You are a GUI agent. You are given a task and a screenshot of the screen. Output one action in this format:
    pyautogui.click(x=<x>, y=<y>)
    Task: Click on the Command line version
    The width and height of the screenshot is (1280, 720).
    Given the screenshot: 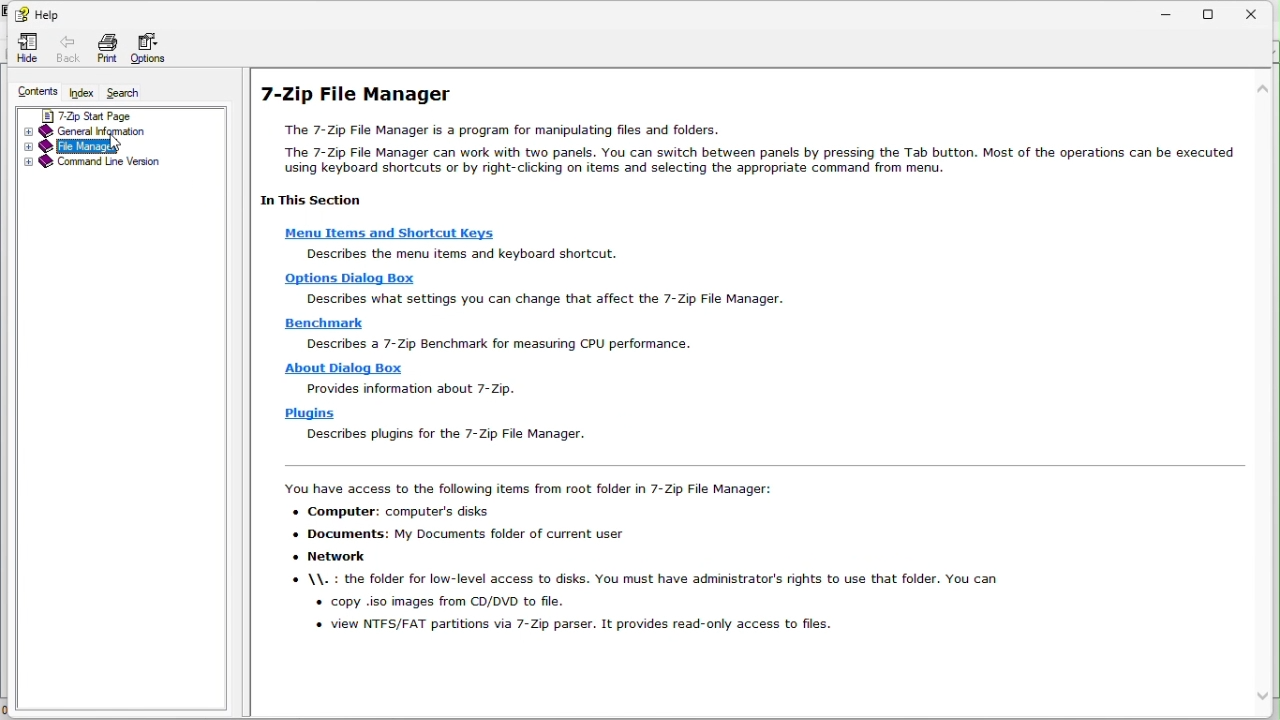 What is the action you would take?
    pyautogui.click(x=115, y=161)
    